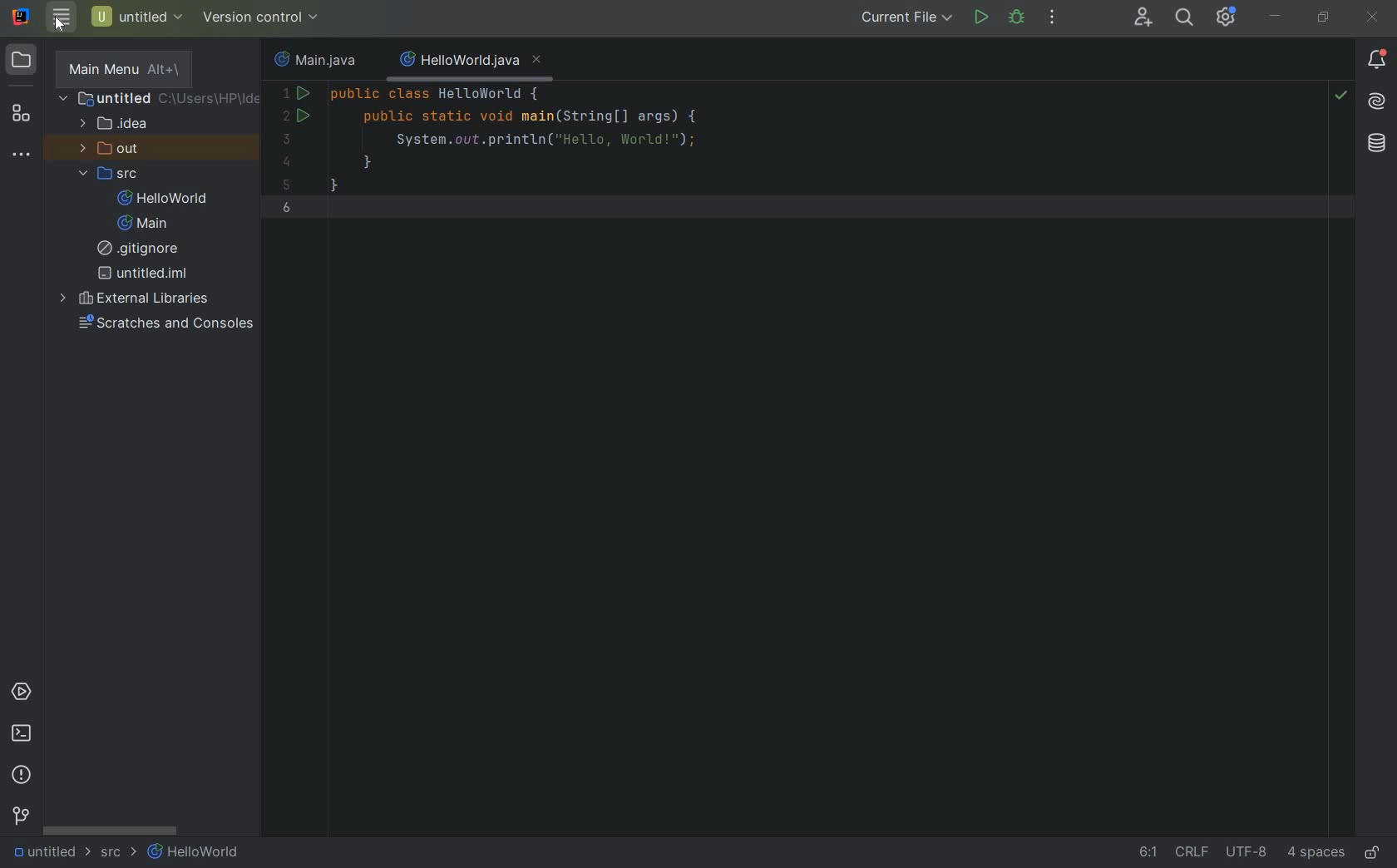  Describe the element at coordinates (141, 250) in the screenshot. I see `.GITIGNORE` at that location.